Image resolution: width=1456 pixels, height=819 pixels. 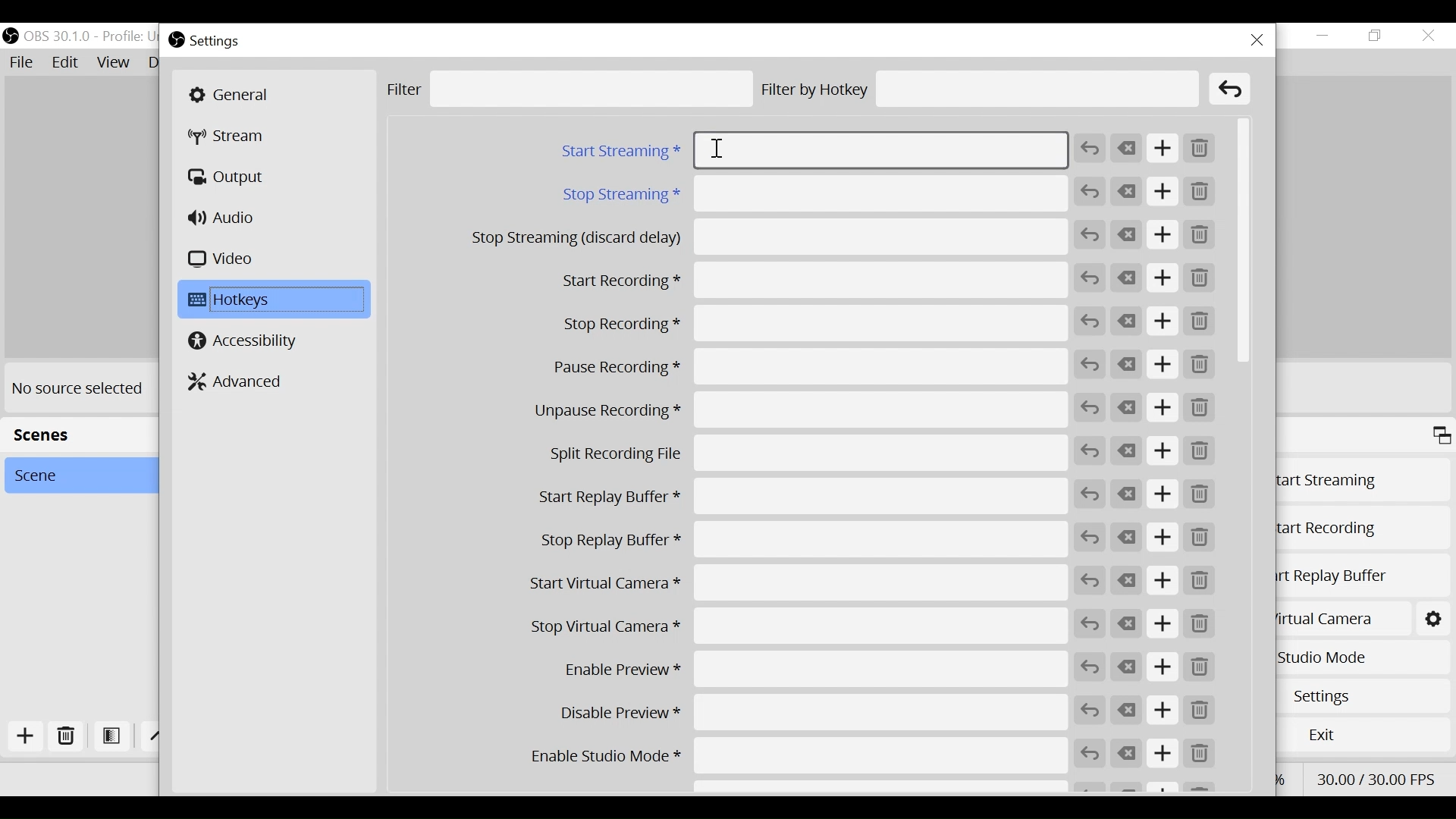 What do you see at coordinates (1441, 437) in the screenshot?
I see `Maximize` at bounding box center [1441, 437].